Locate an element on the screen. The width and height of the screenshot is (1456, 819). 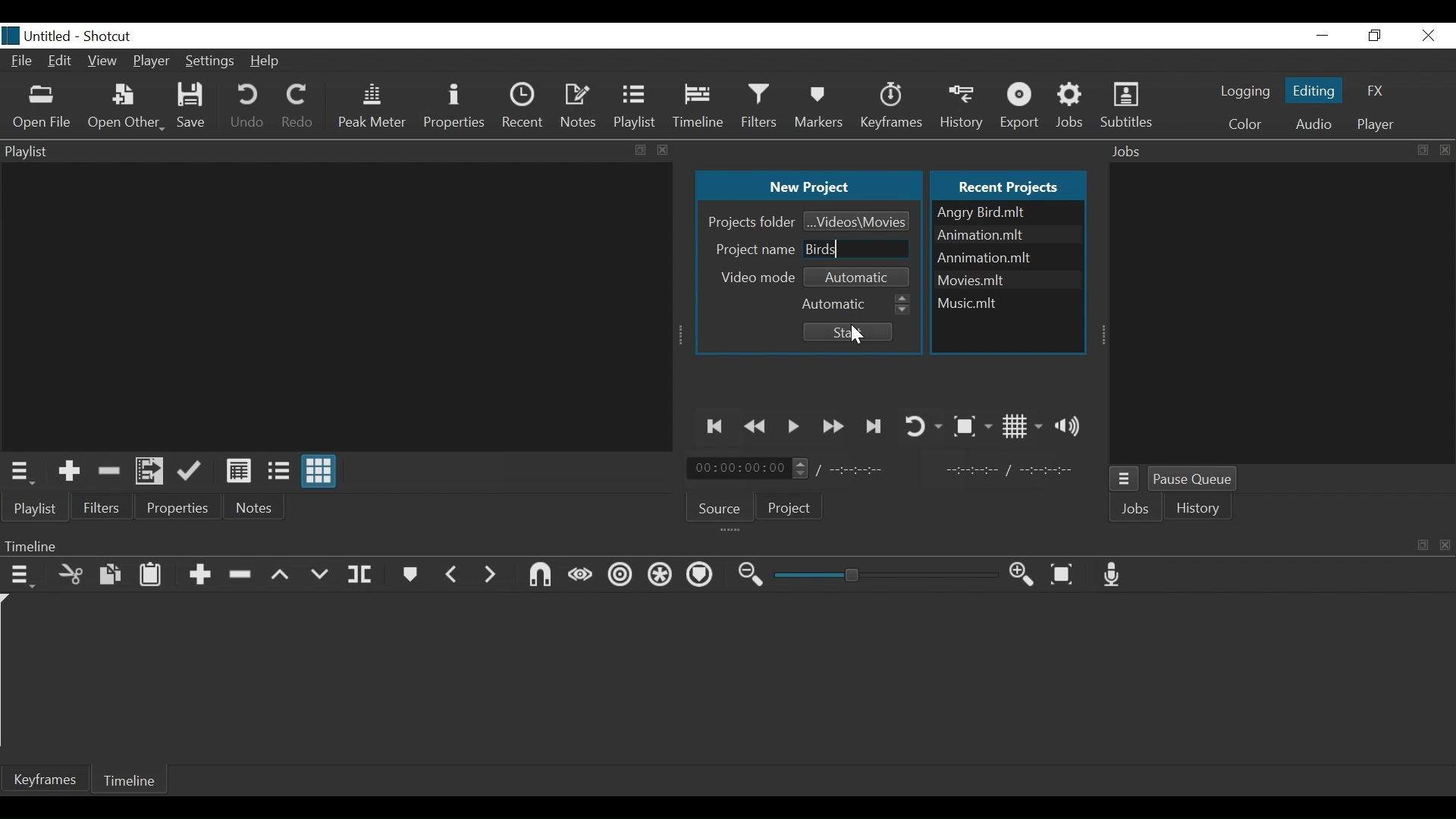
Toggle display grid on player is located at coordinates (1022, 426).